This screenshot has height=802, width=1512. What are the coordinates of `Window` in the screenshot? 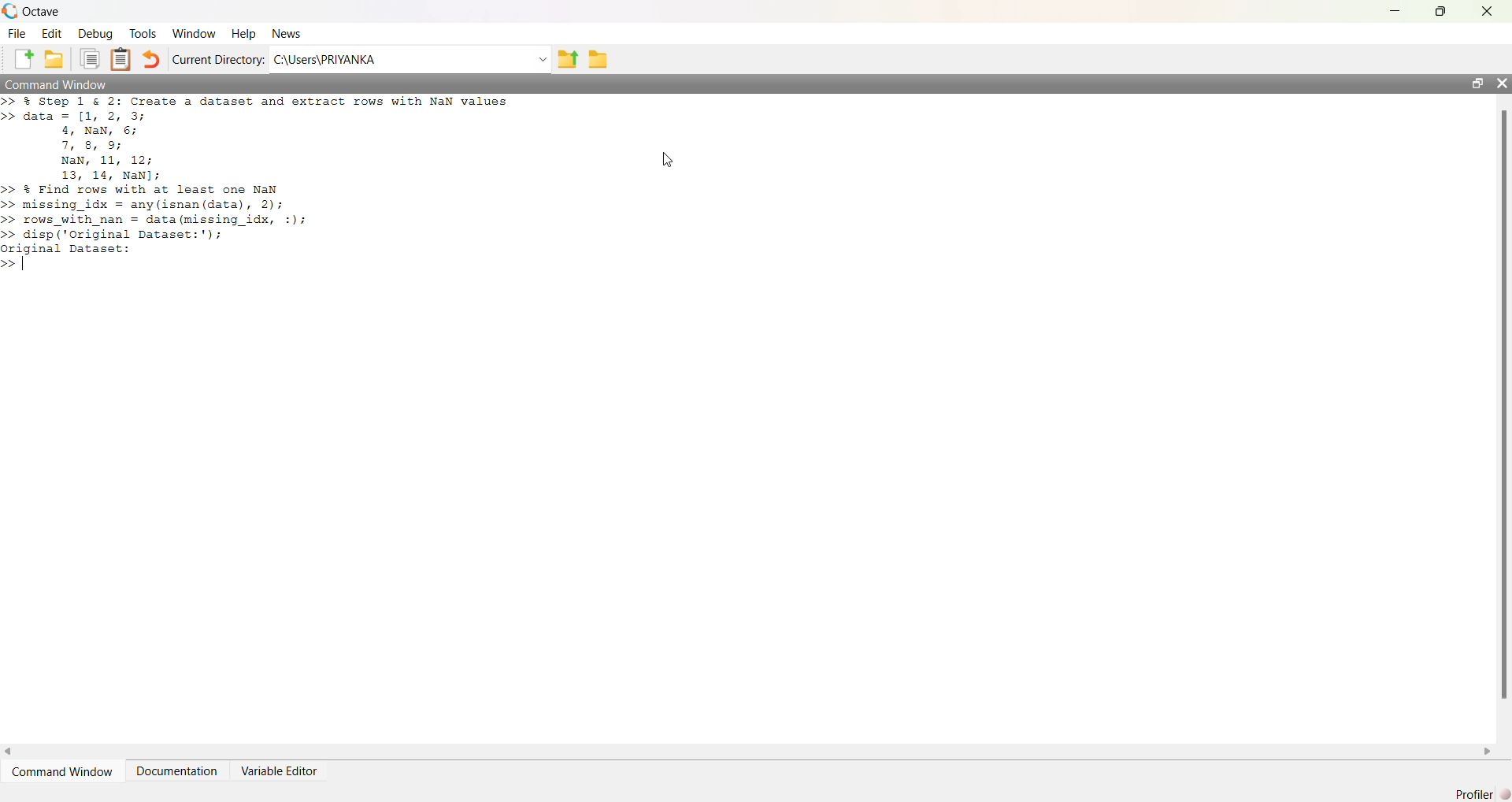 It's located at (195, 34).